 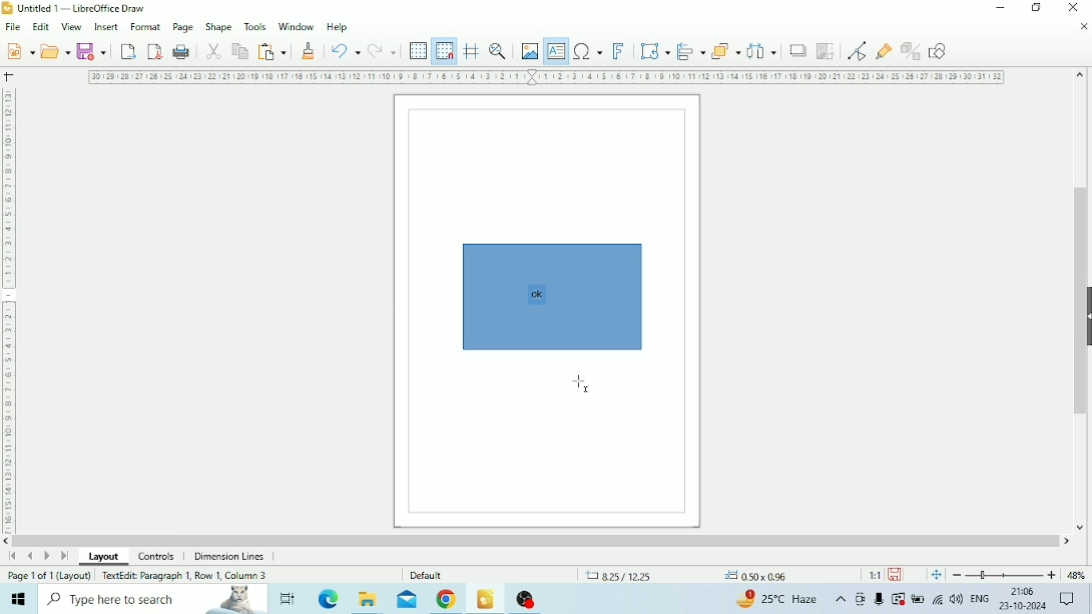 What do you see at coordinates (1068, 600) in the screenshot?
I see `Notifications` at bounding box center [1068, 600].